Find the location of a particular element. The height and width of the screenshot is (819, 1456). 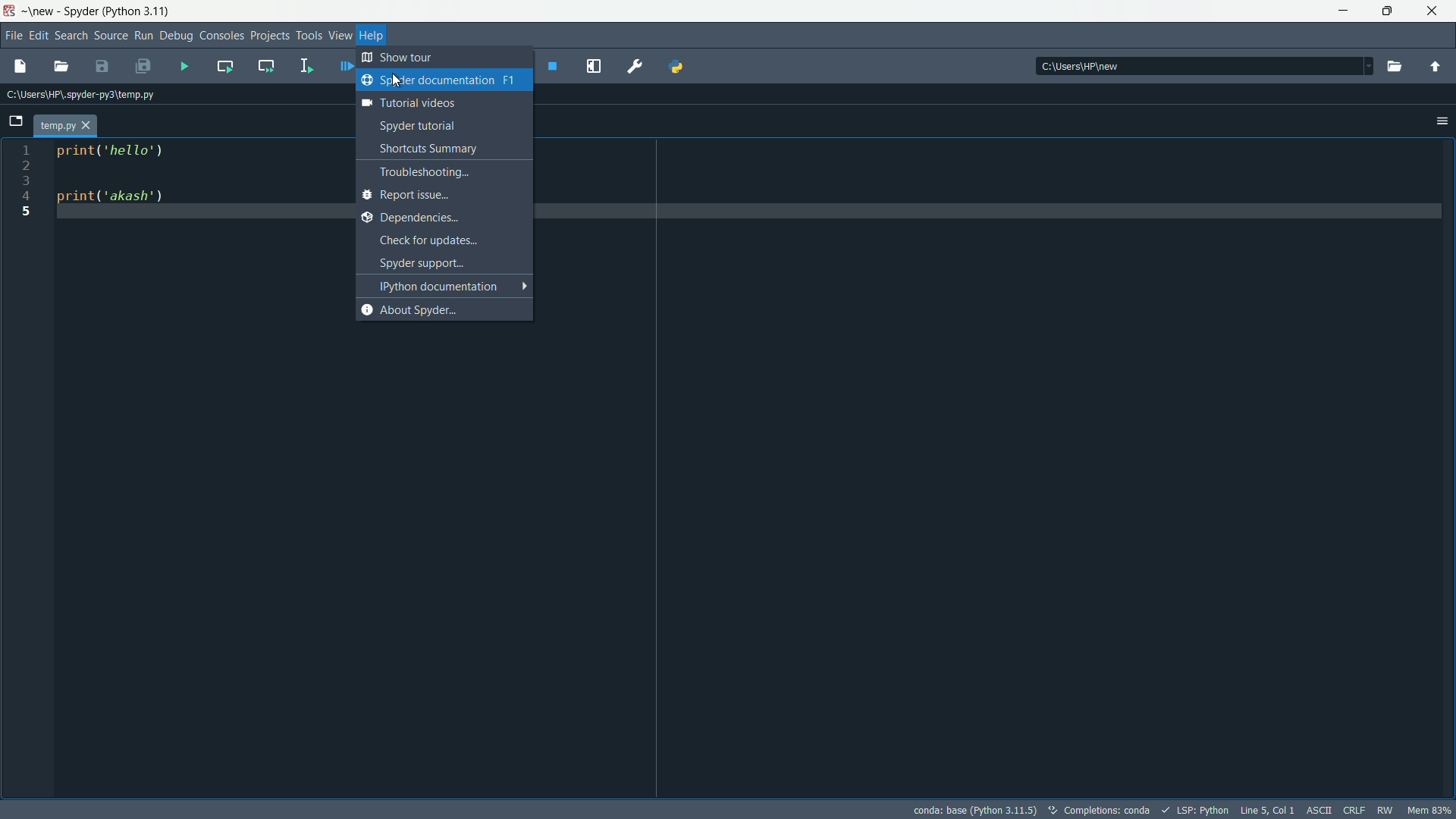

new file is located at coordinates (21, 67).